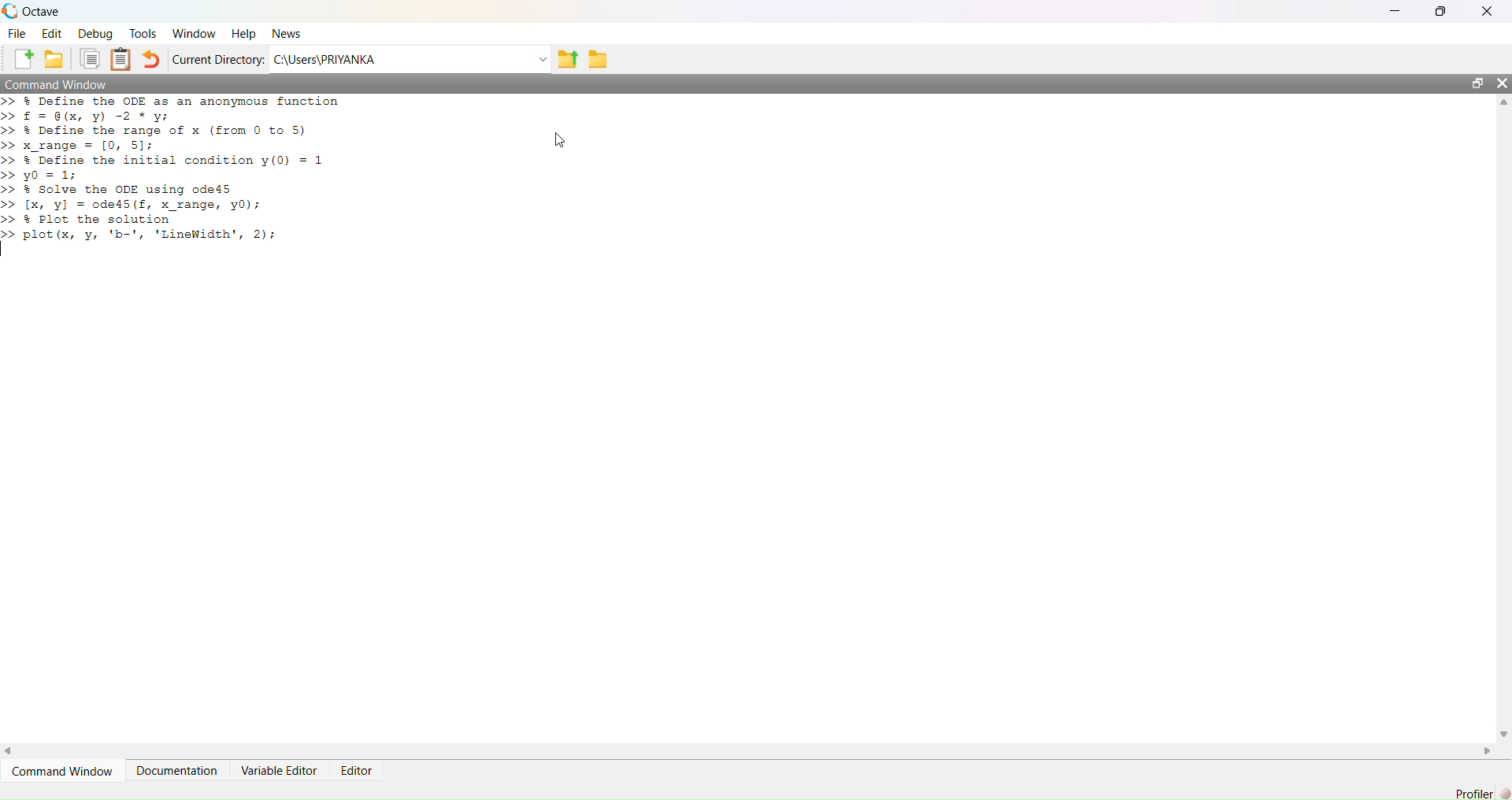 This screenshot has width=1512, height=800. Describe the element at coordinates (52, 33) in the screenshot. I see `Edit` at that location.